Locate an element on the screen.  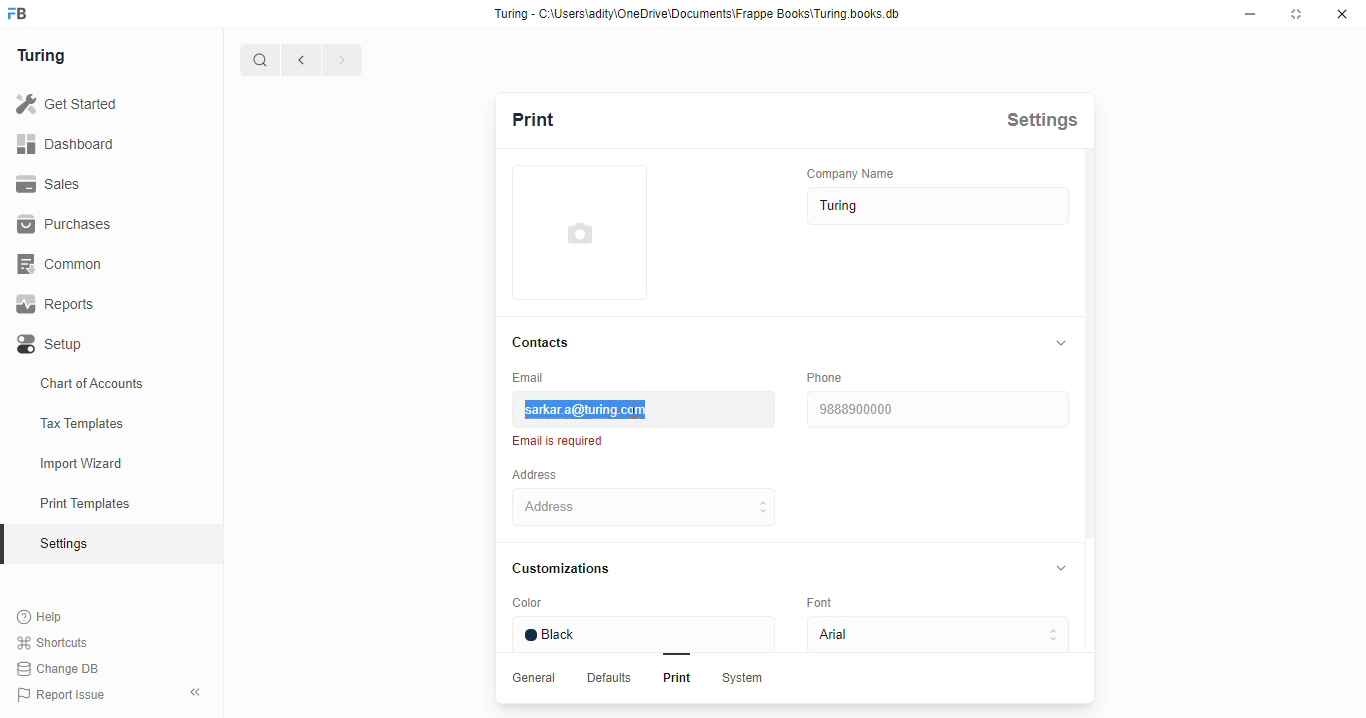
Contacts is located at coordinates (547, 341).